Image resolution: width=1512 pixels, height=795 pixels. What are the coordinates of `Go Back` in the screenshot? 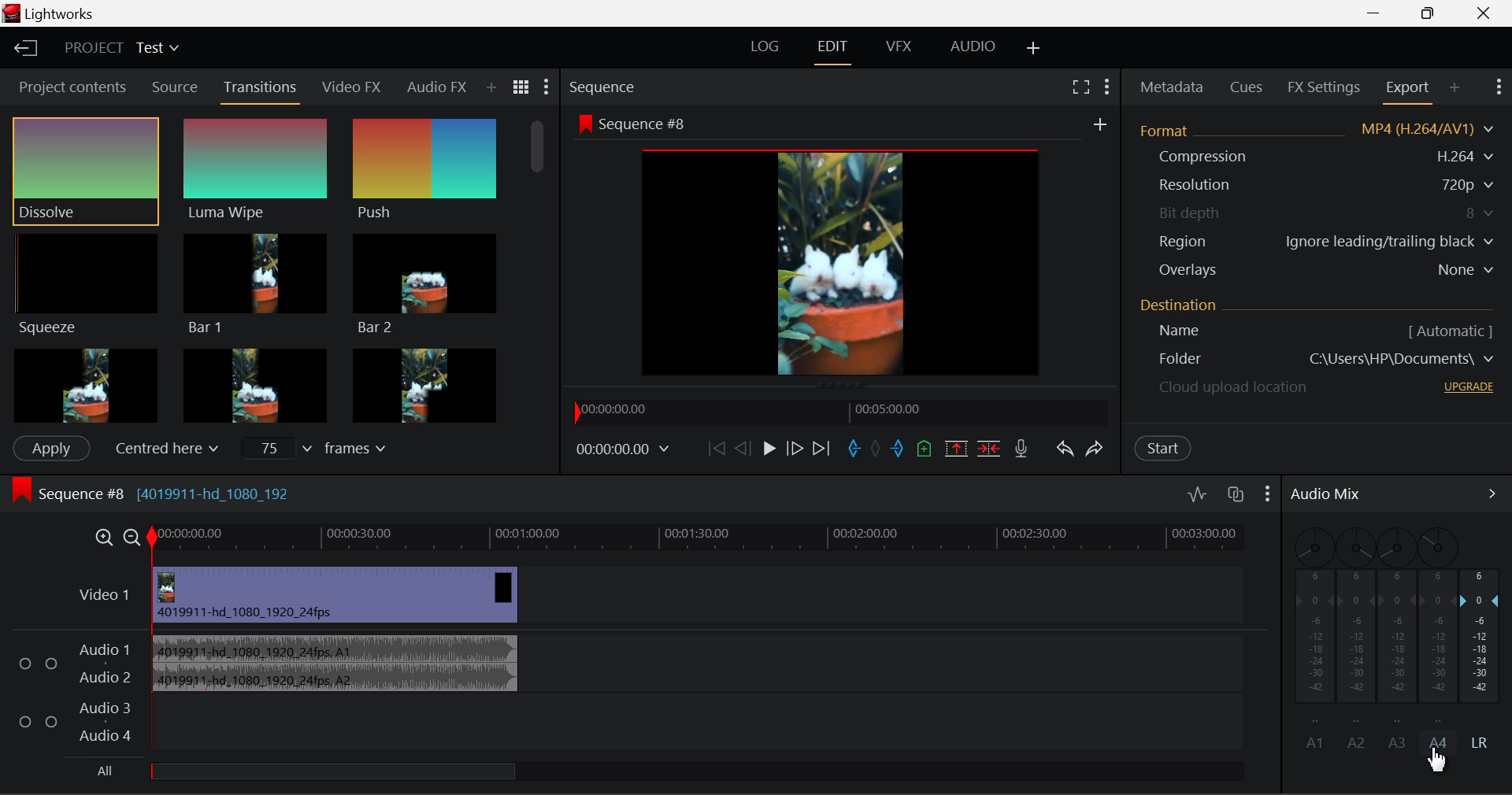 It's located at (741, 452).